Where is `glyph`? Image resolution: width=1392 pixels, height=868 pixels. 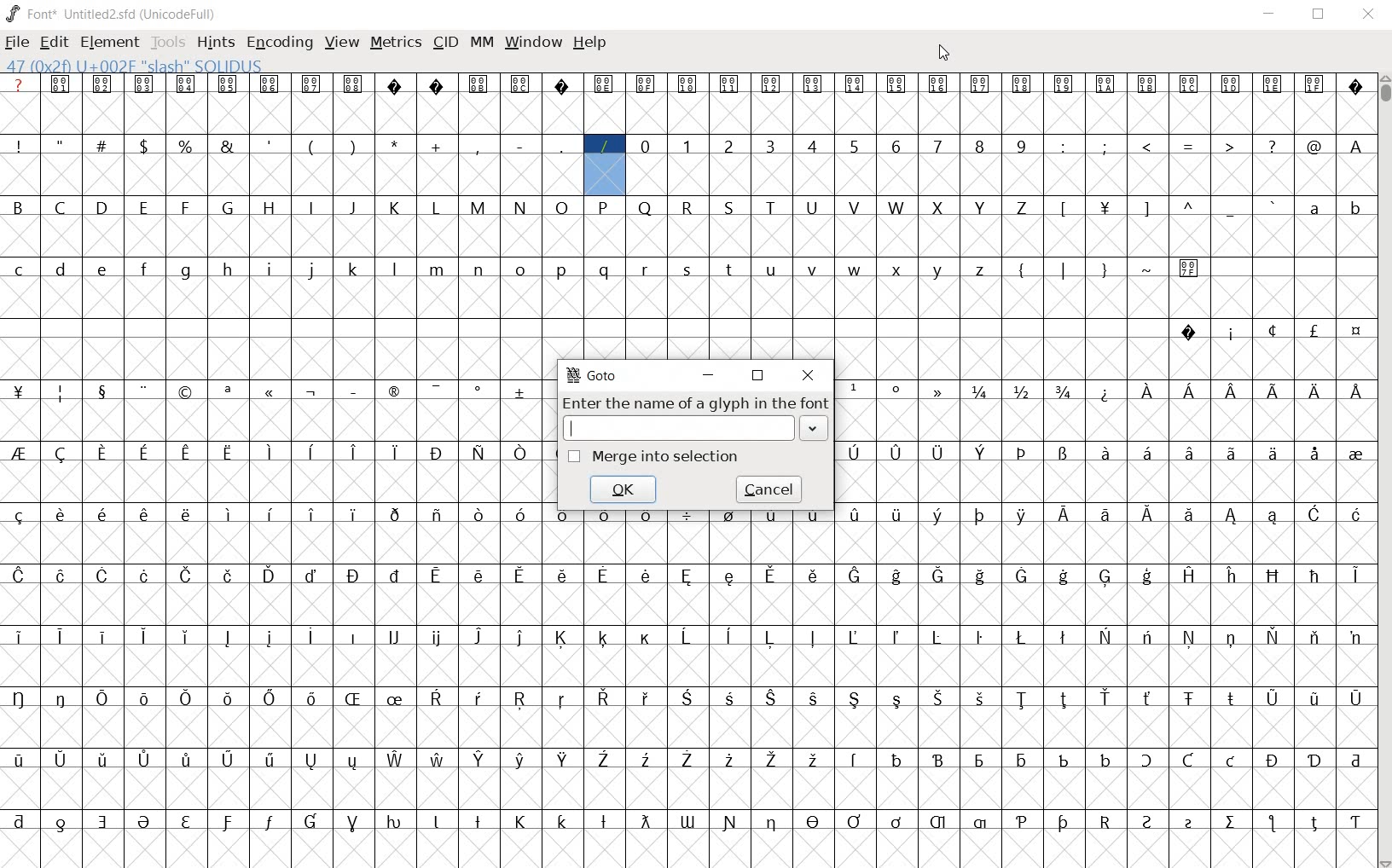
glyph is located at coordinates (1105, 146).